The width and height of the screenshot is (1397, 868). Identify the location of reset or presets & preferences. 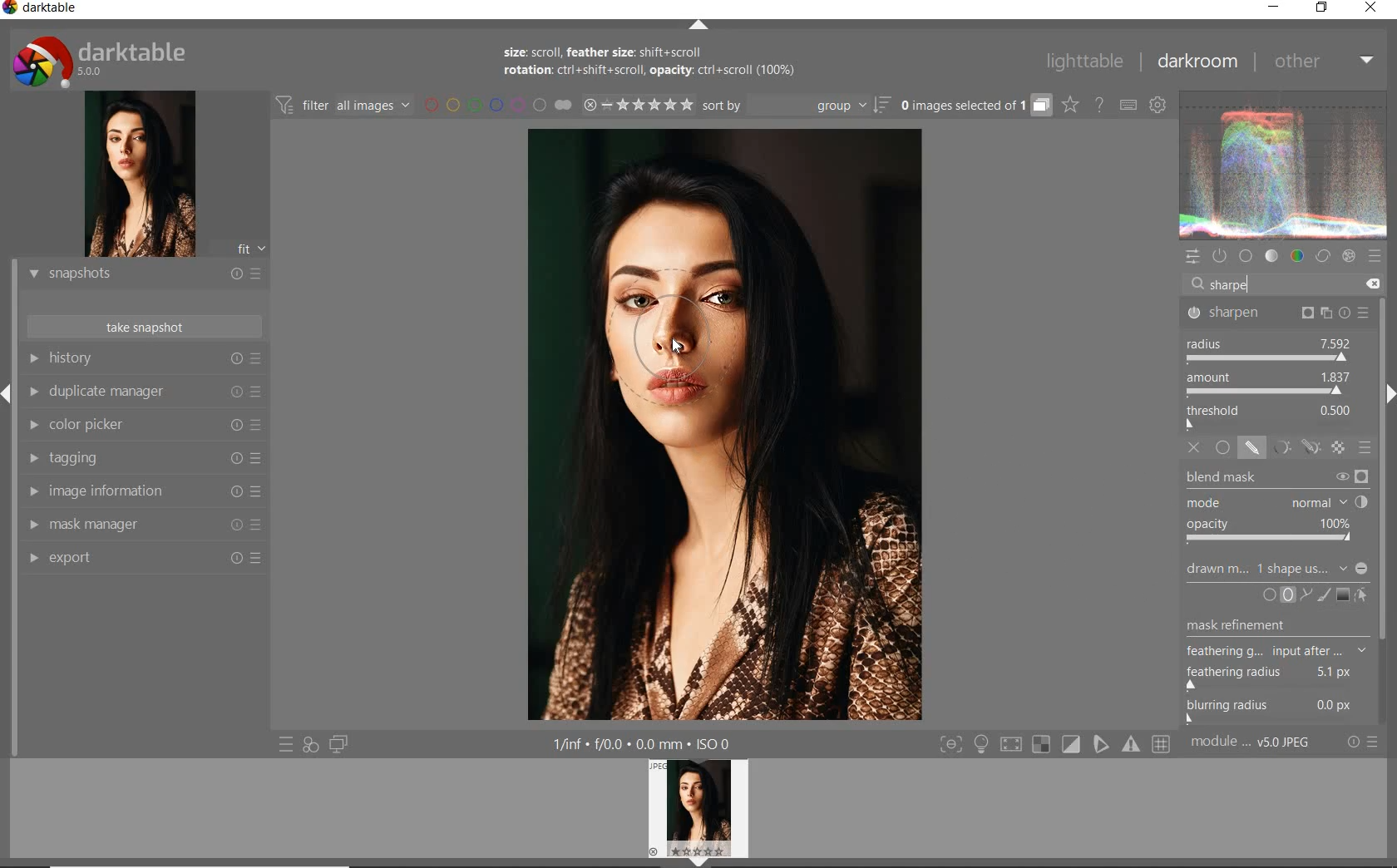
(1363, 745).